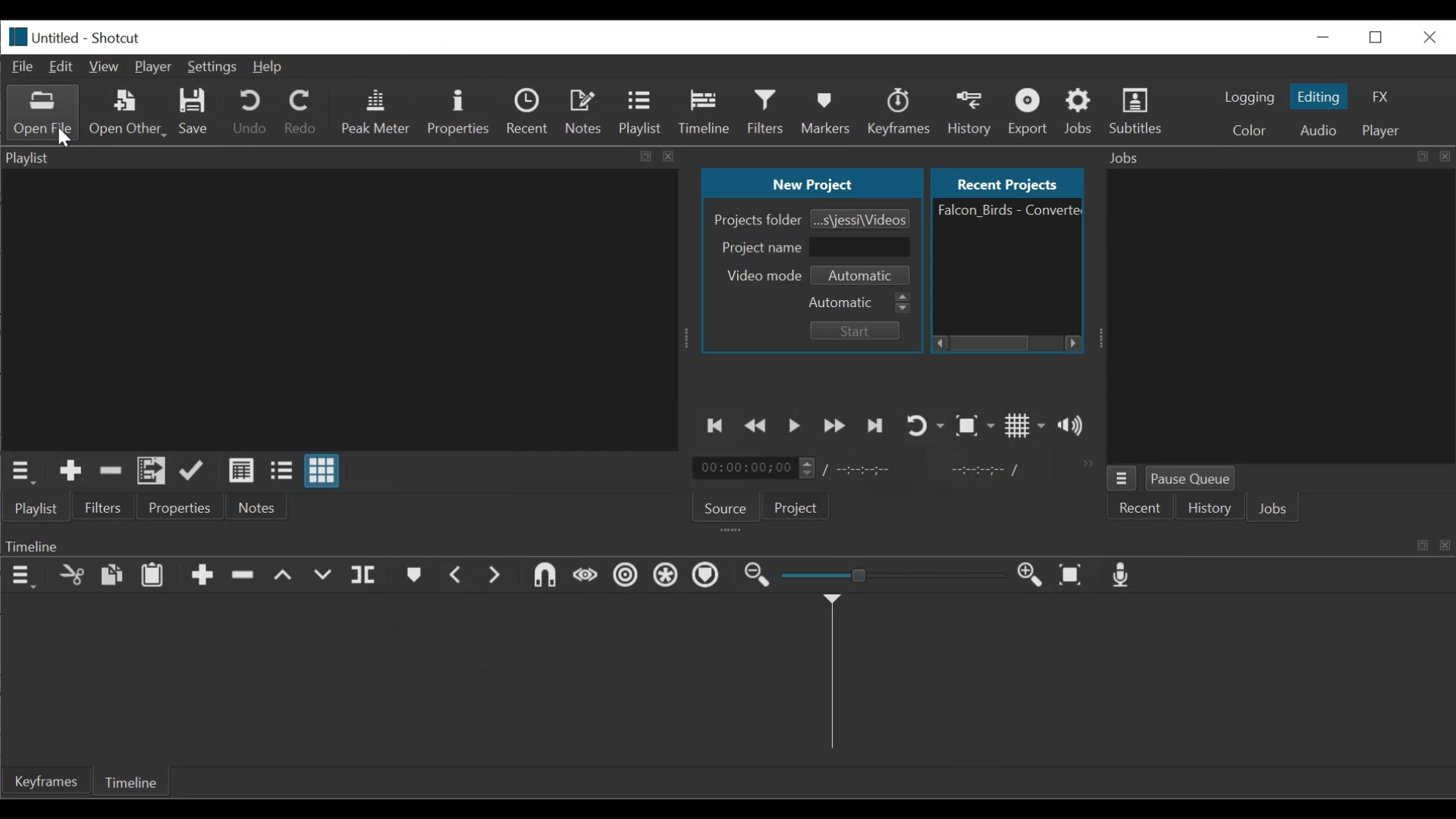 The image size is (1456, 819). What do you see at coordinates (19, 37) in the screenshot?
I see `logo` at bounding box center [19, 37].